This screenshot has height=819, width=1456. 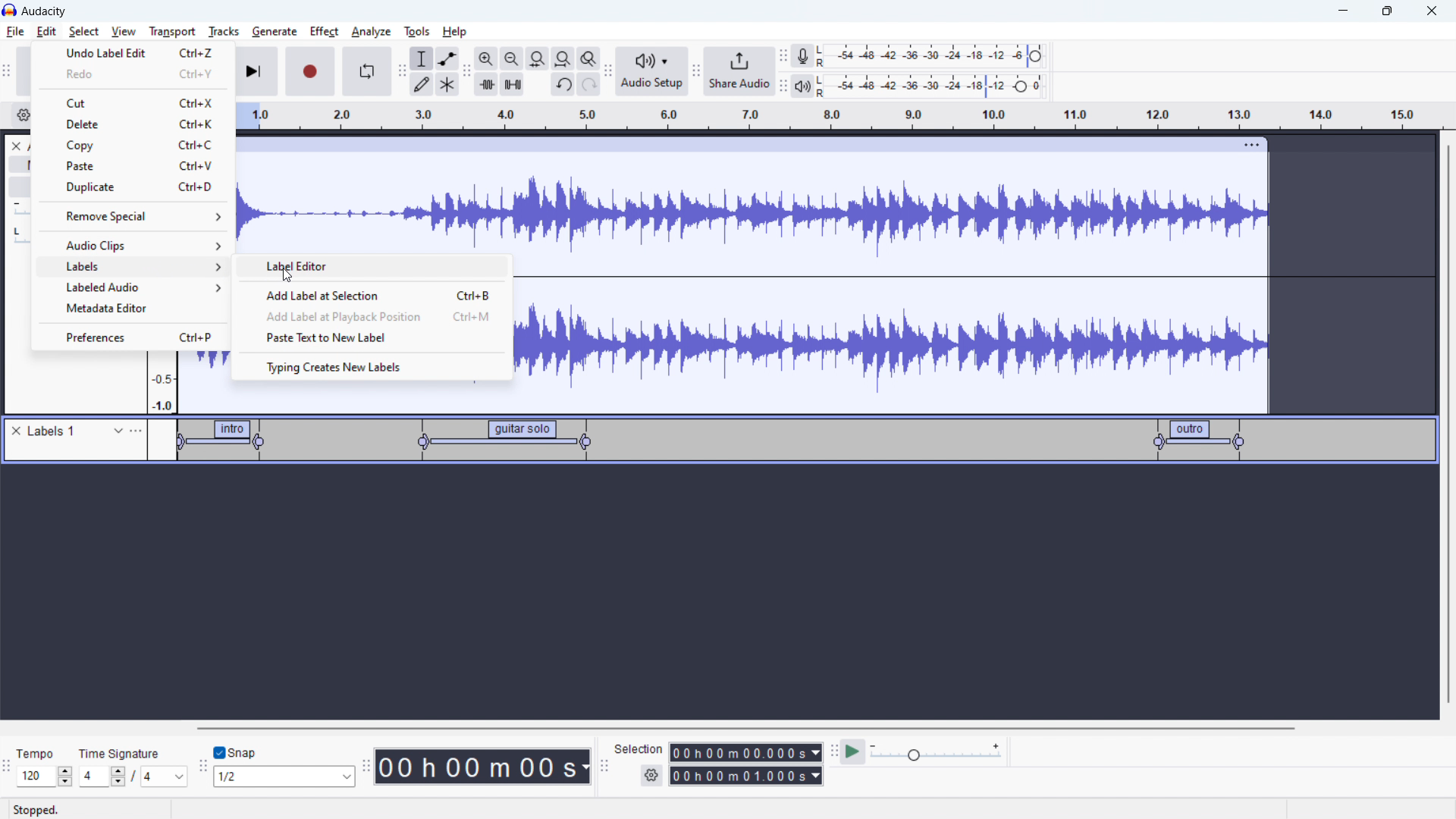 What do you see at coordinates (124, 31) in the screenshot?
I see `view` at bounding box center [124, 31].